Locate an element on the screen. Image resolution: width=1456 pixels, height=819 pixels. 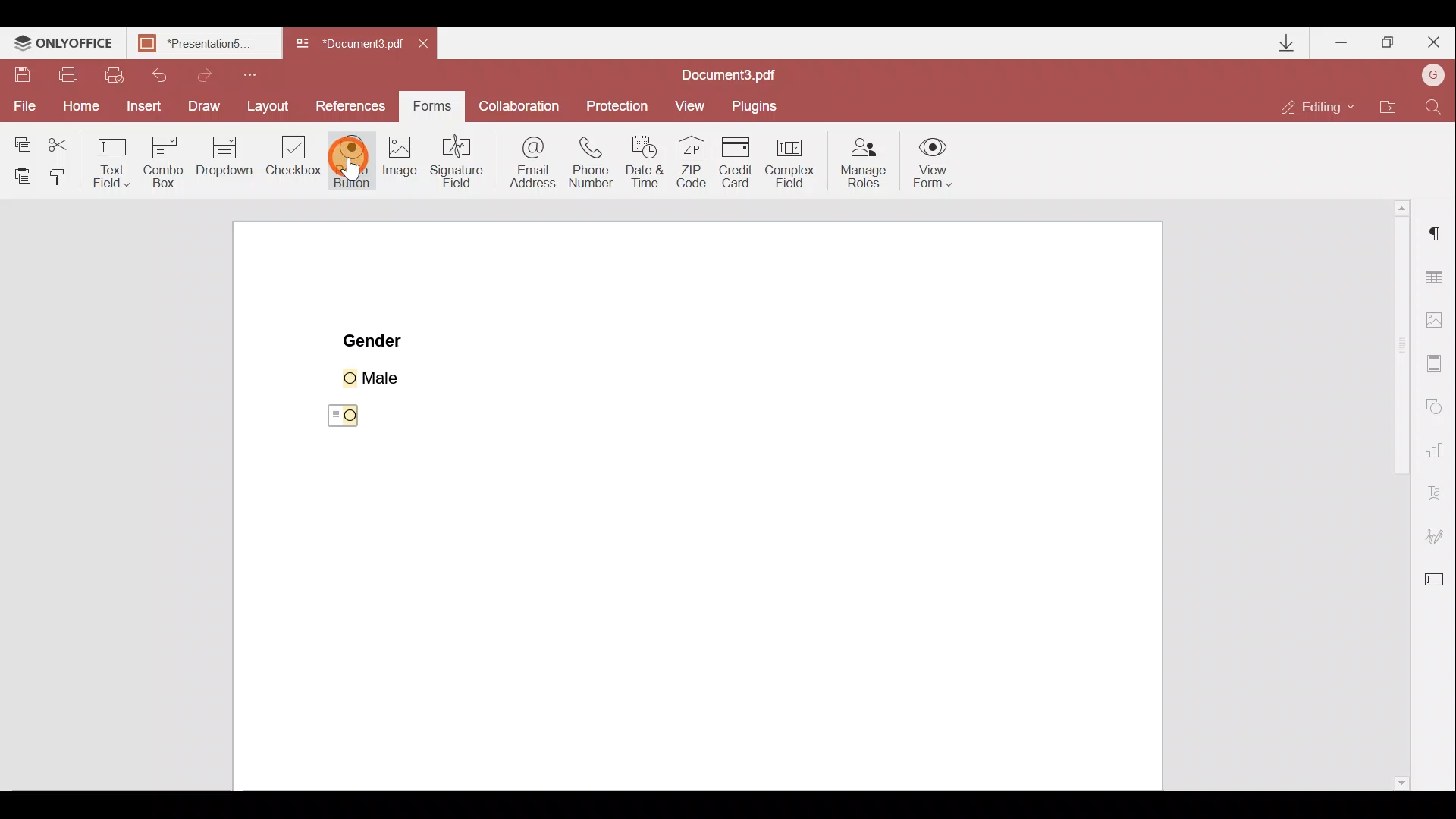
Print file is located at coordinates (70, 74).